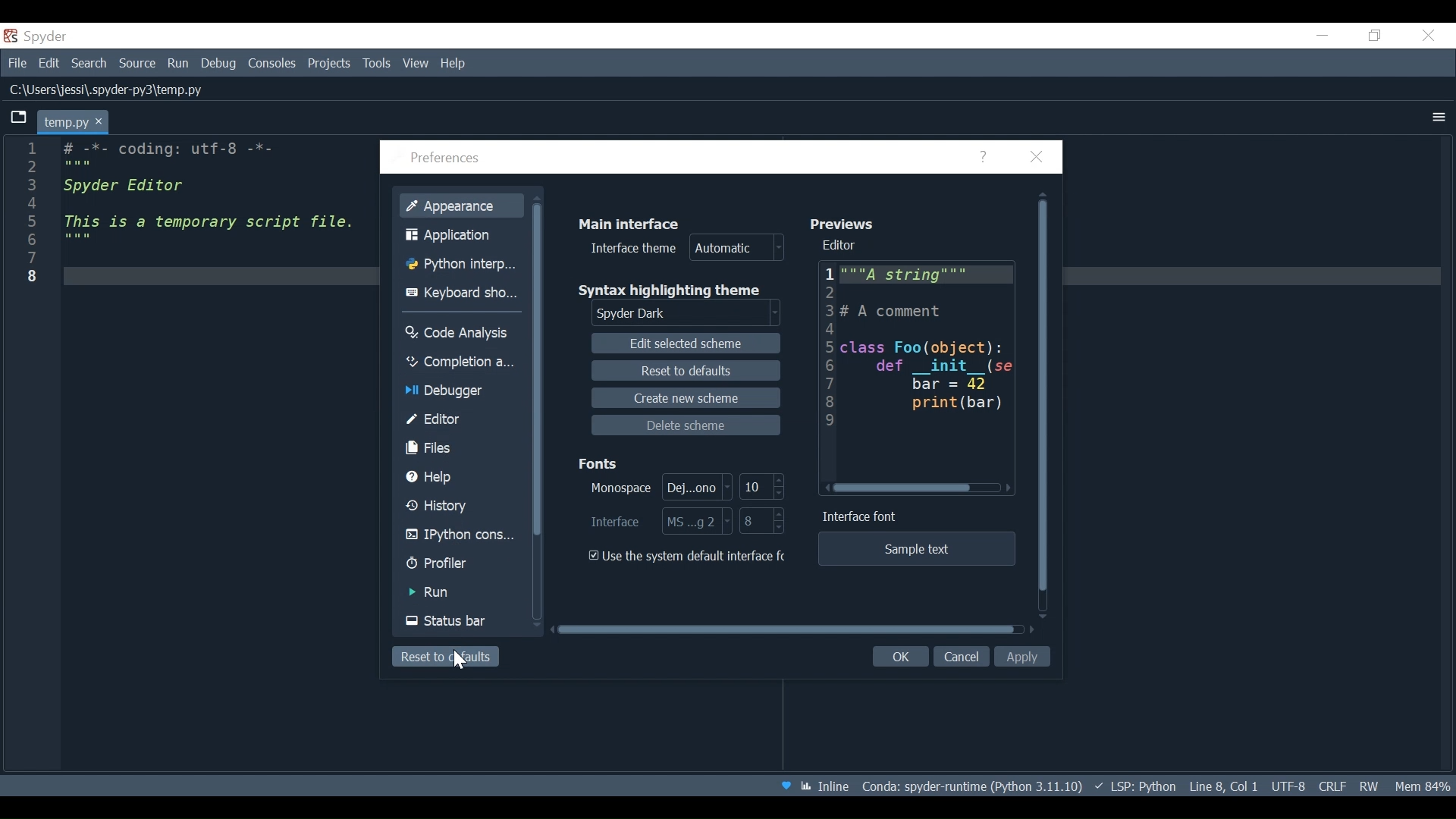  What do you see at coordinates (203, 213) in the screenshot?
I see `Editor - Code (# coding: utf-8 Spyder Editor This is a temporary script file.)` at bounding box center [203, 213].